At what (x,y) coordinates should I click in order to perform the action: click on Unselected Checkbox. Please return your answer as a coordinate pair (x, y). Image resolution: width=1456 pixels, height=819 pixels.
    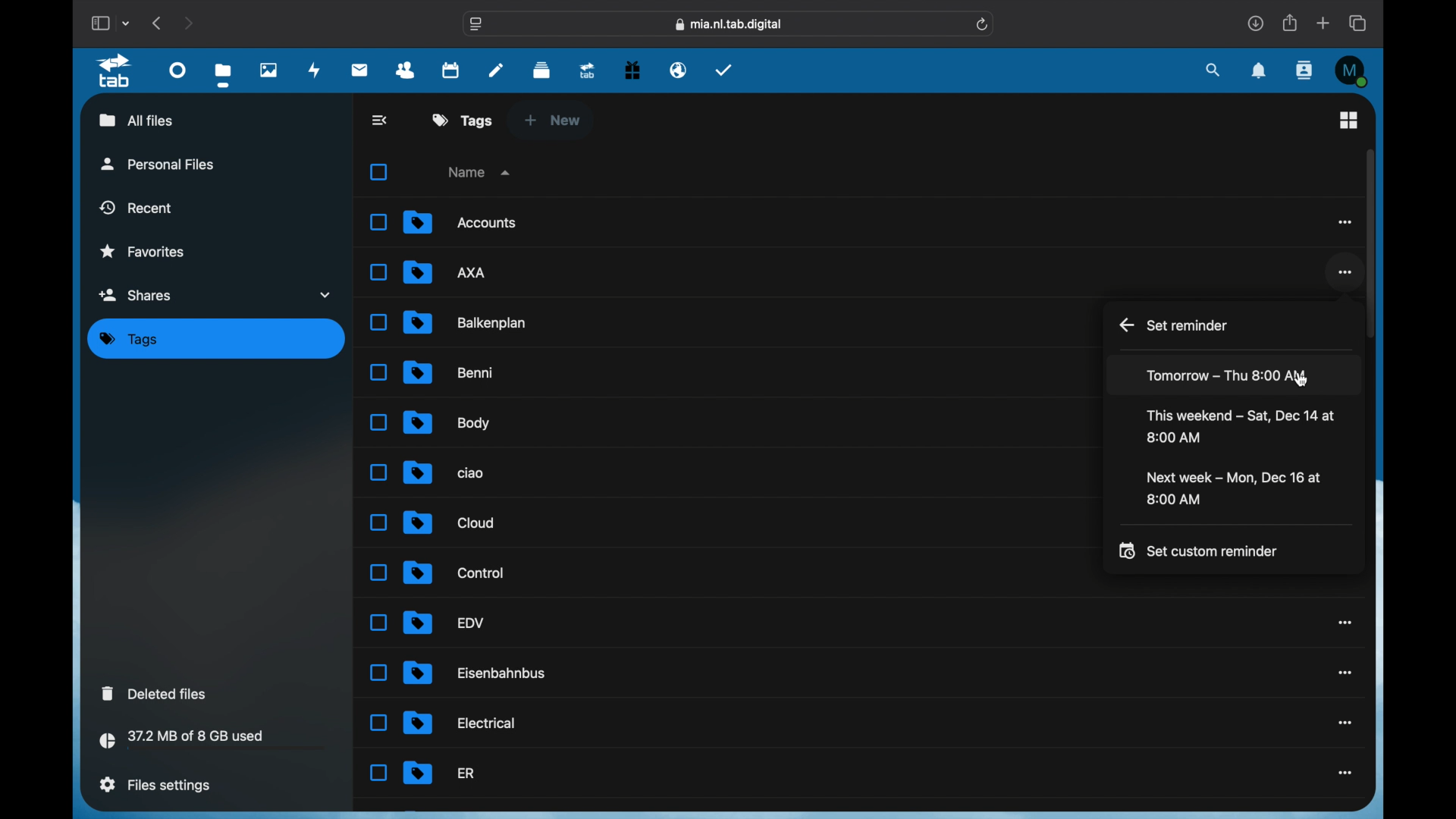
    Looking at the image, I should click on (378, 773).